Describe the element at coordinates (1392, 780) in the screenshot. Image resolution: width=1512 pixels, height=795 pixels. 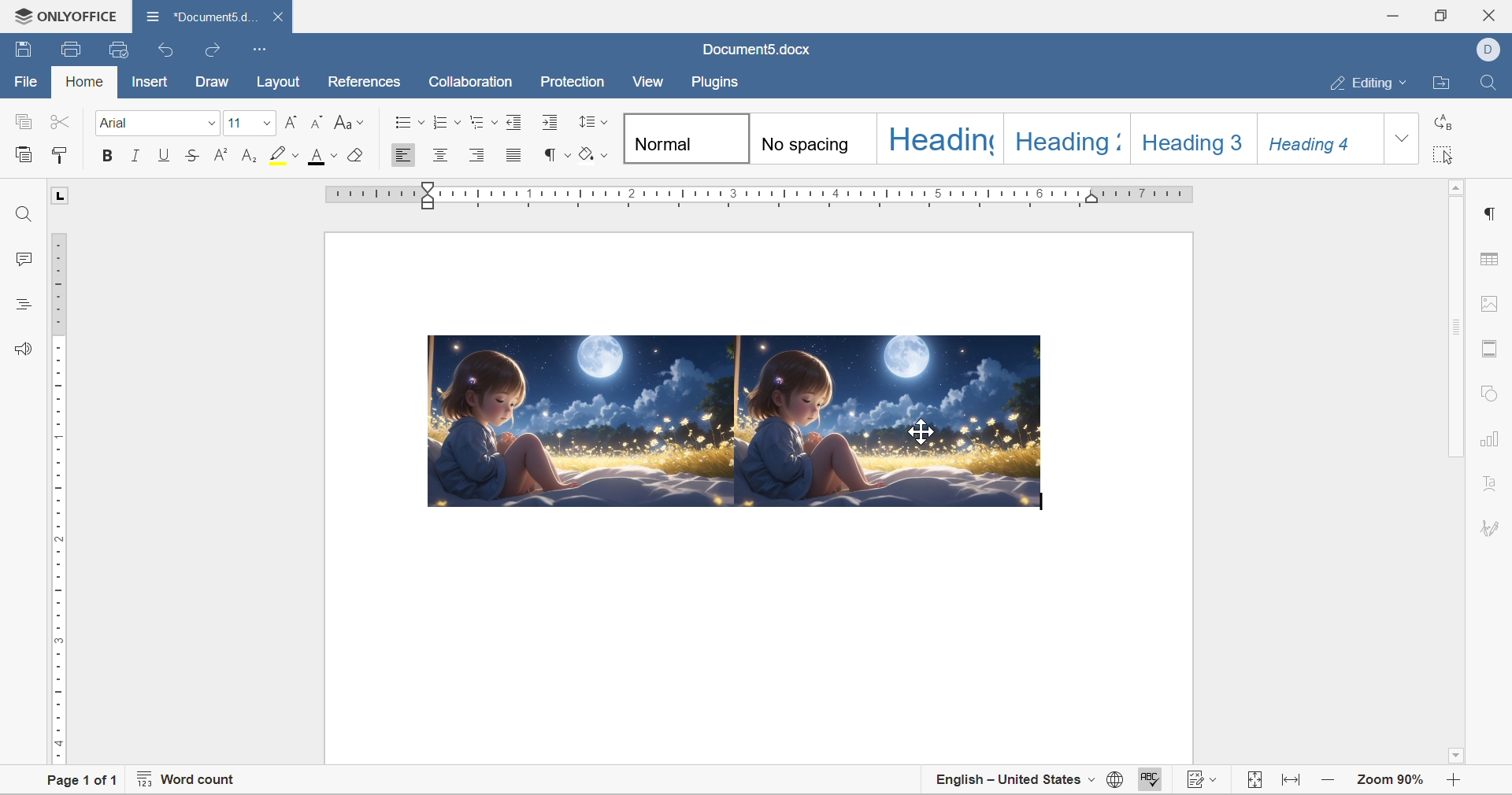
I see `zoom 90%` at that location.